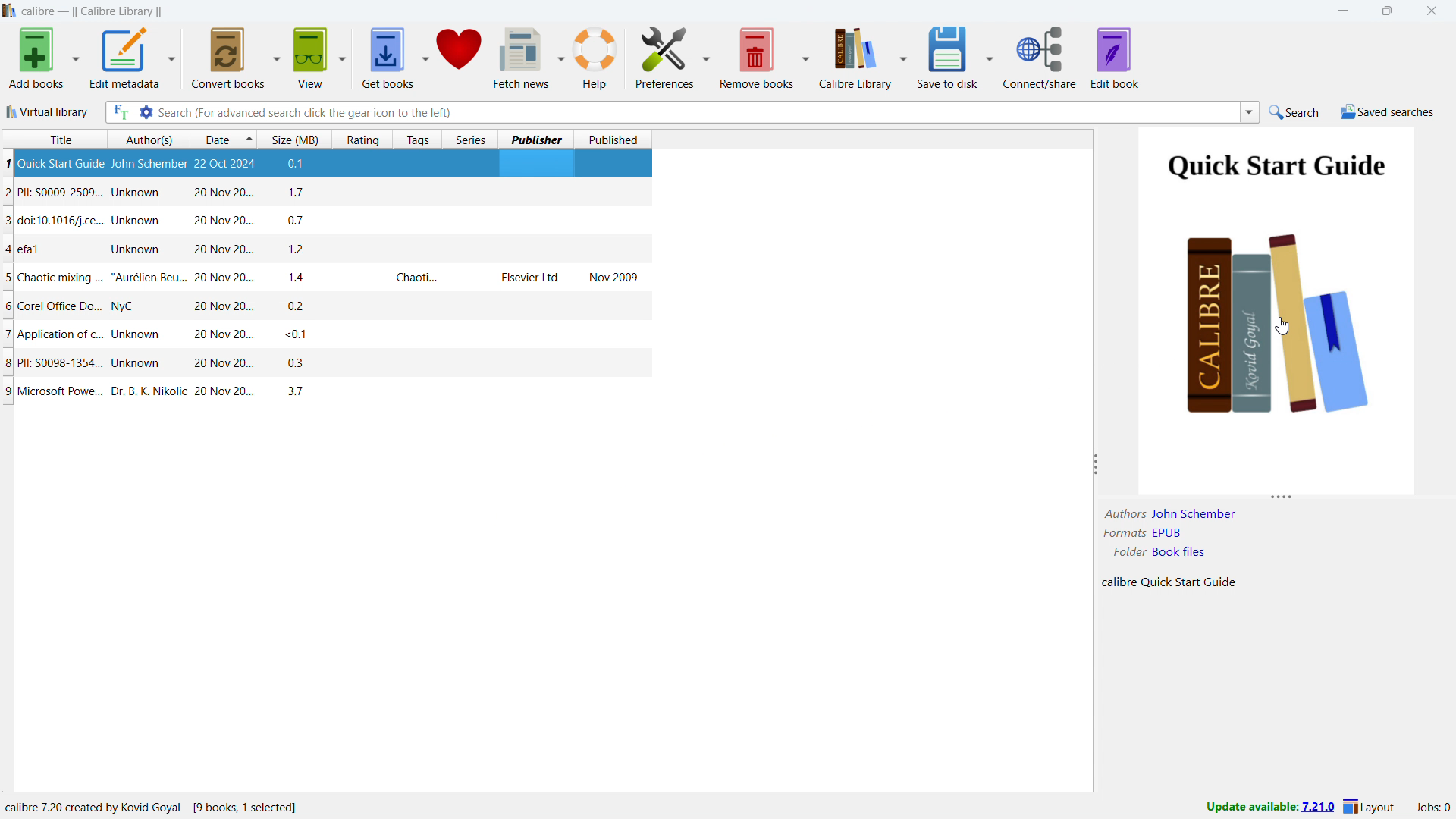 This screenshot has width=1456, height=819. I want to click on 20 Nov 20.., so click(223, 393).